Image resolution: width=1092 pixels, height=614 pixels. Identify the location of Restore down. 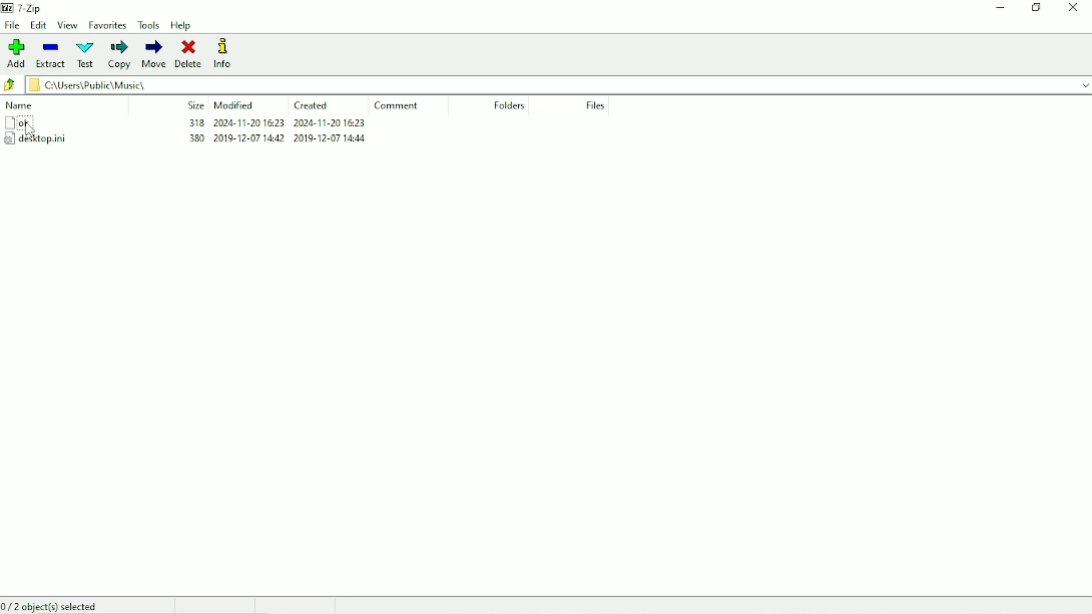
(1037, 9).